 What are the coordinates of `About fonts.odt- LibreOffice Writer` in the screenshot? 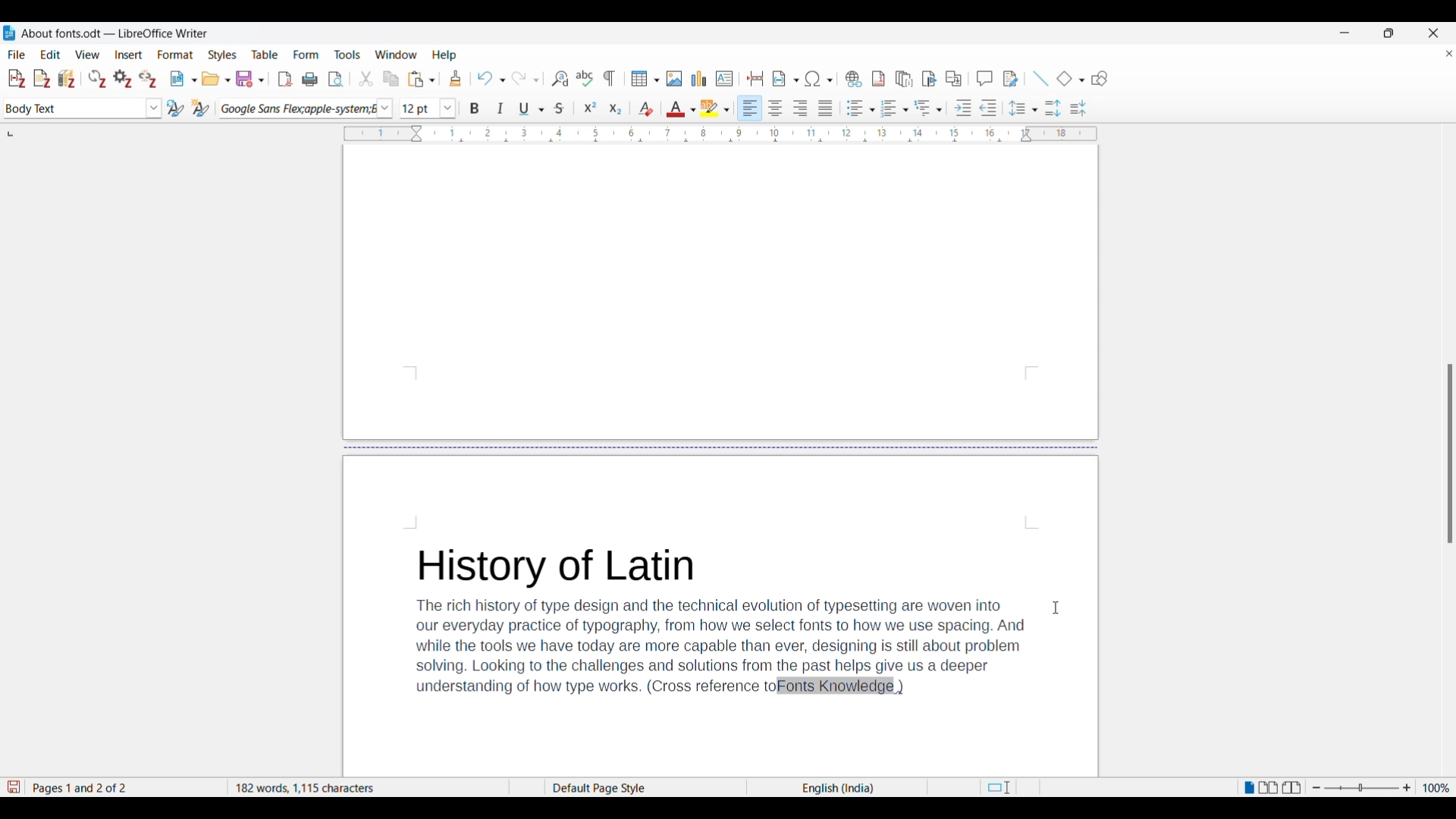 It's located at (115, 33).